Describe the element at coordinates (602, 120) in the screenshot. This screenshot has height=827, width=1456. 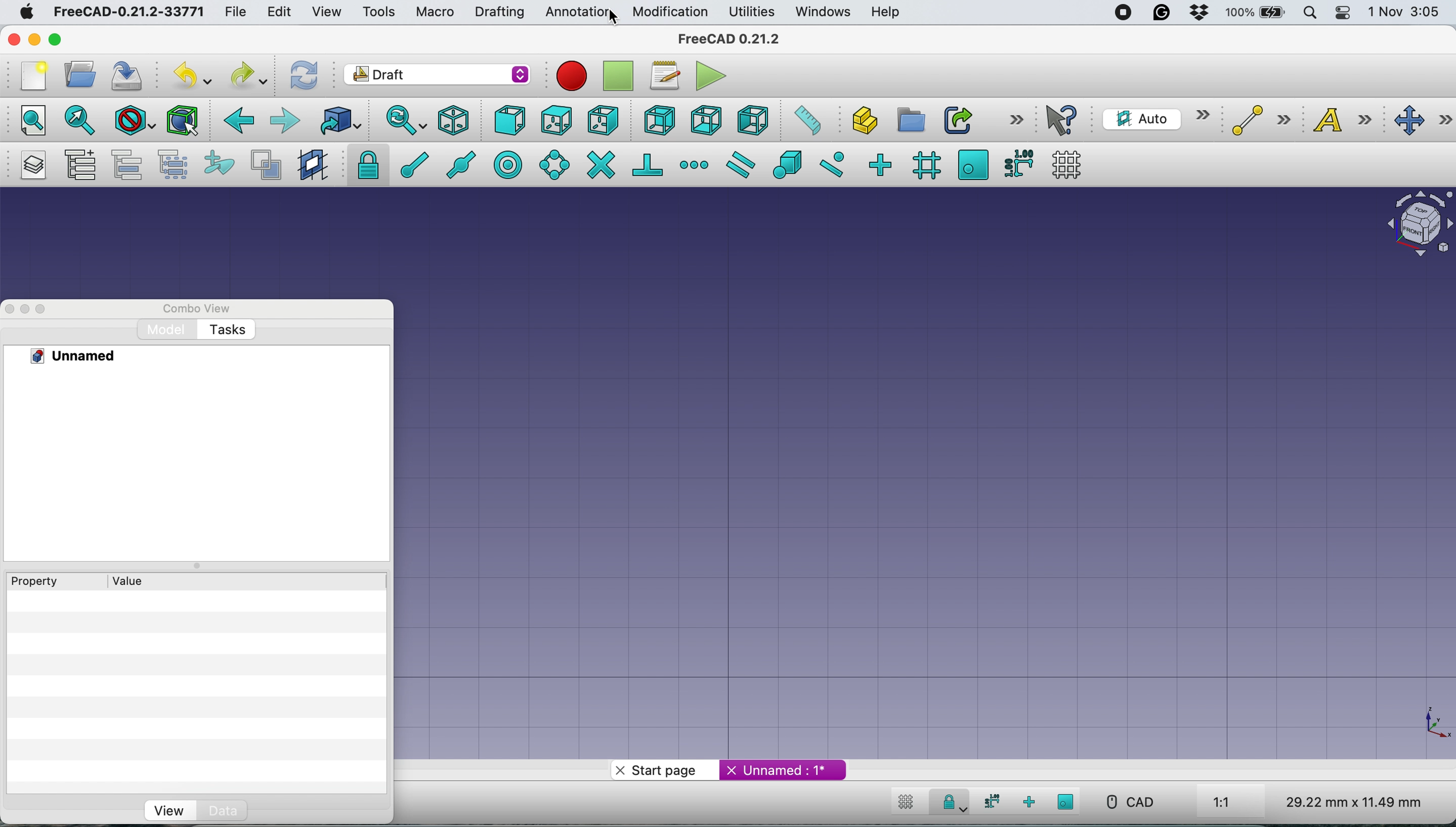
I see `right` at that location.